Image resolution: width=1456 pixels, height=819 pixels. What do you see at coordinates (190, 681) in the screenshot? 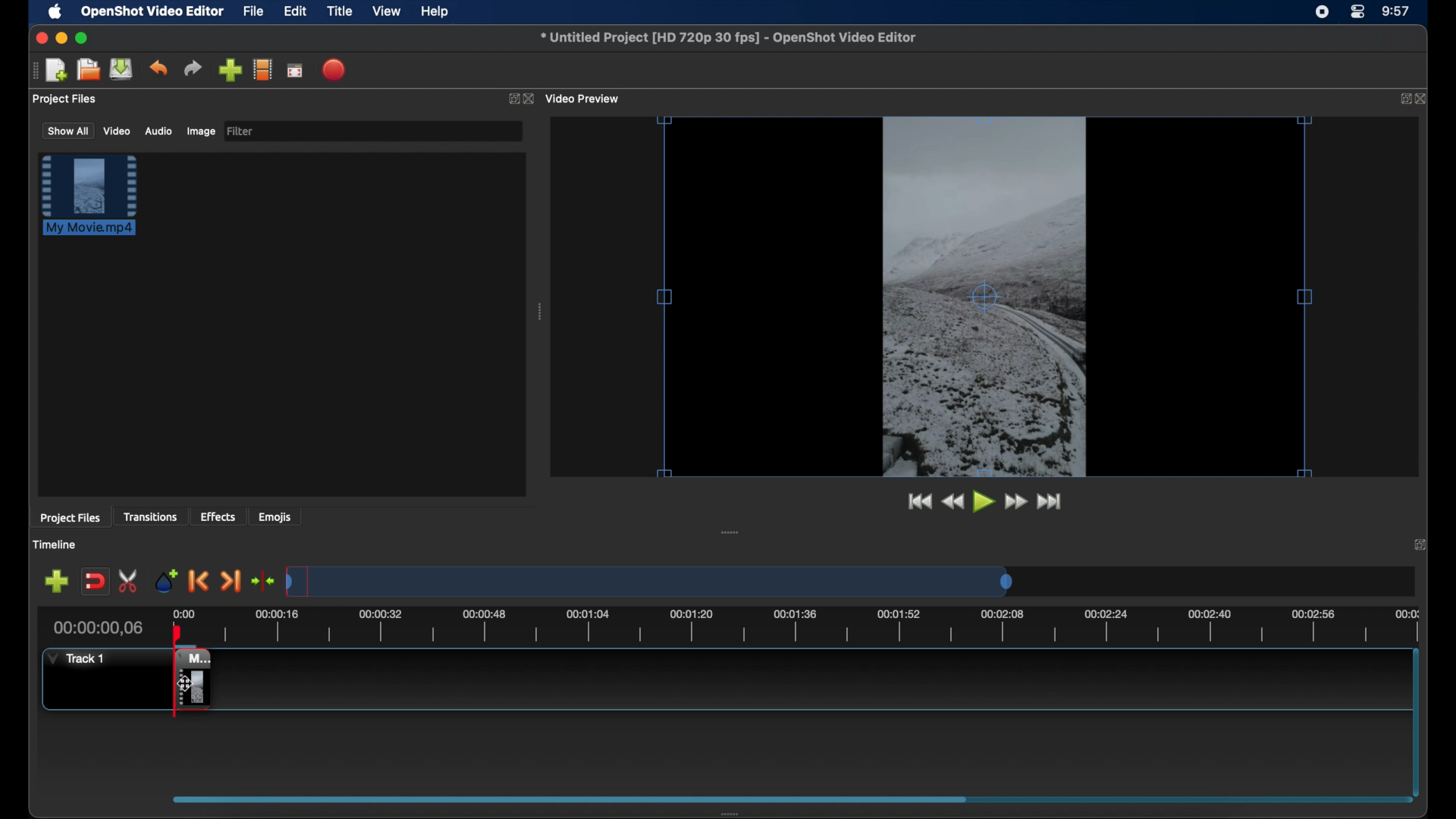
I see `drag cursor` at bounding box center [190, 681].